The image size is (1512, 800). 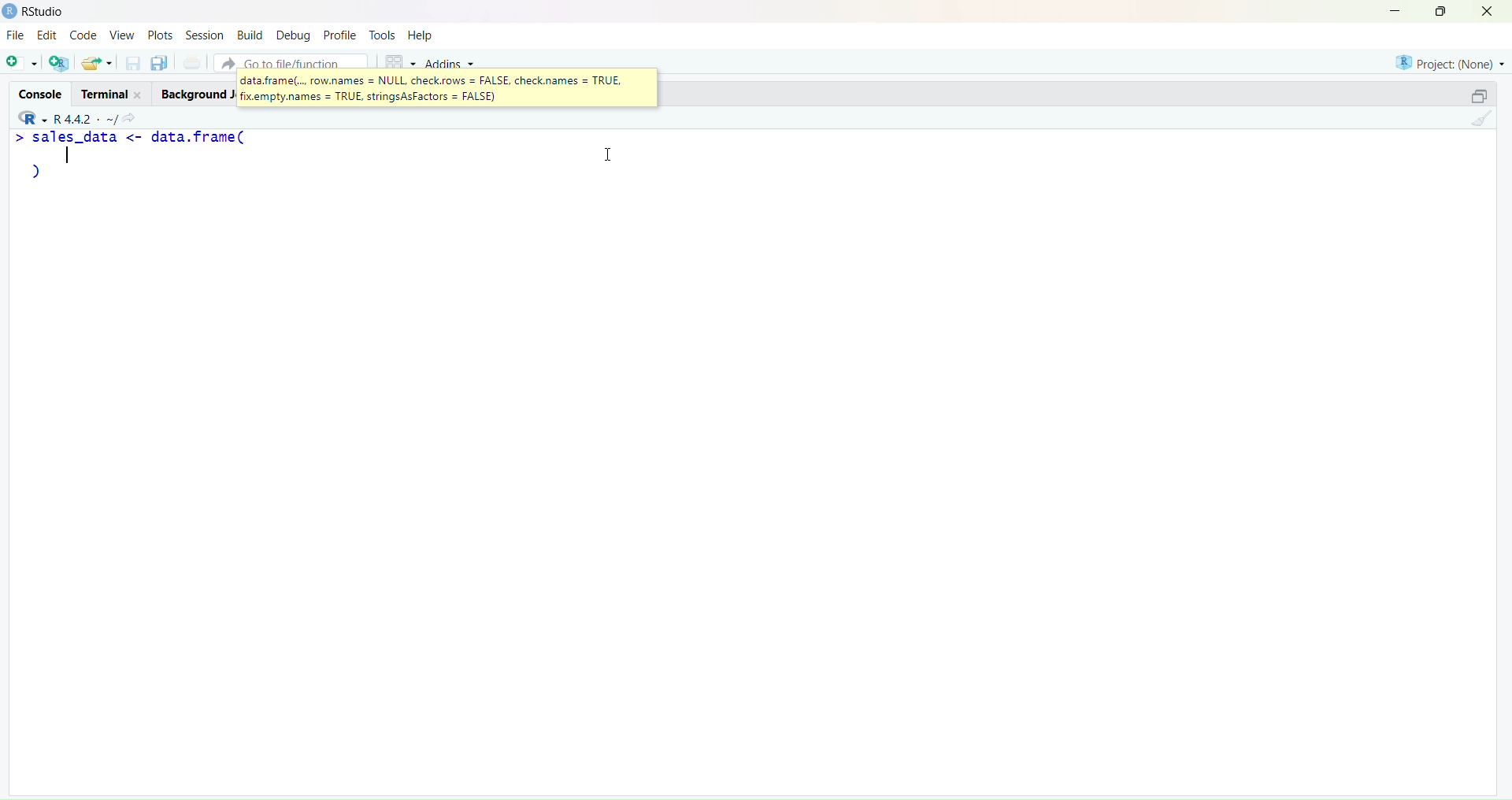 What do you see at coordinates (382, 35) in the screenshot?
I see `tools` at bounding box center [382, 35].